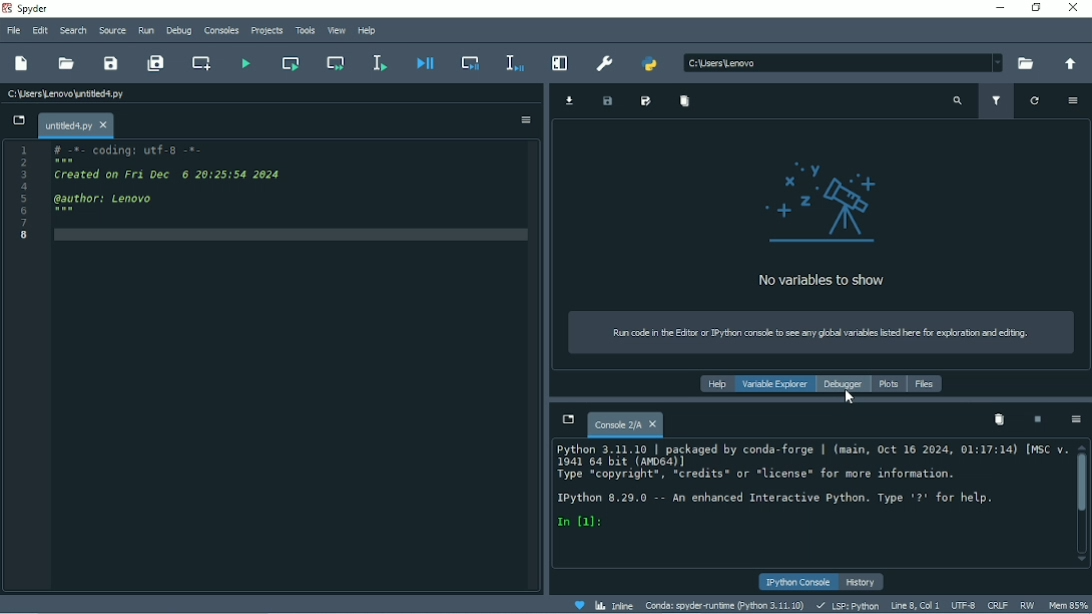 The width and height of the screenshot is (1092, 614). Describe the element at coordinates (337, 64) in the screenshot. I see `Run current cell and go to the next one` at that location.